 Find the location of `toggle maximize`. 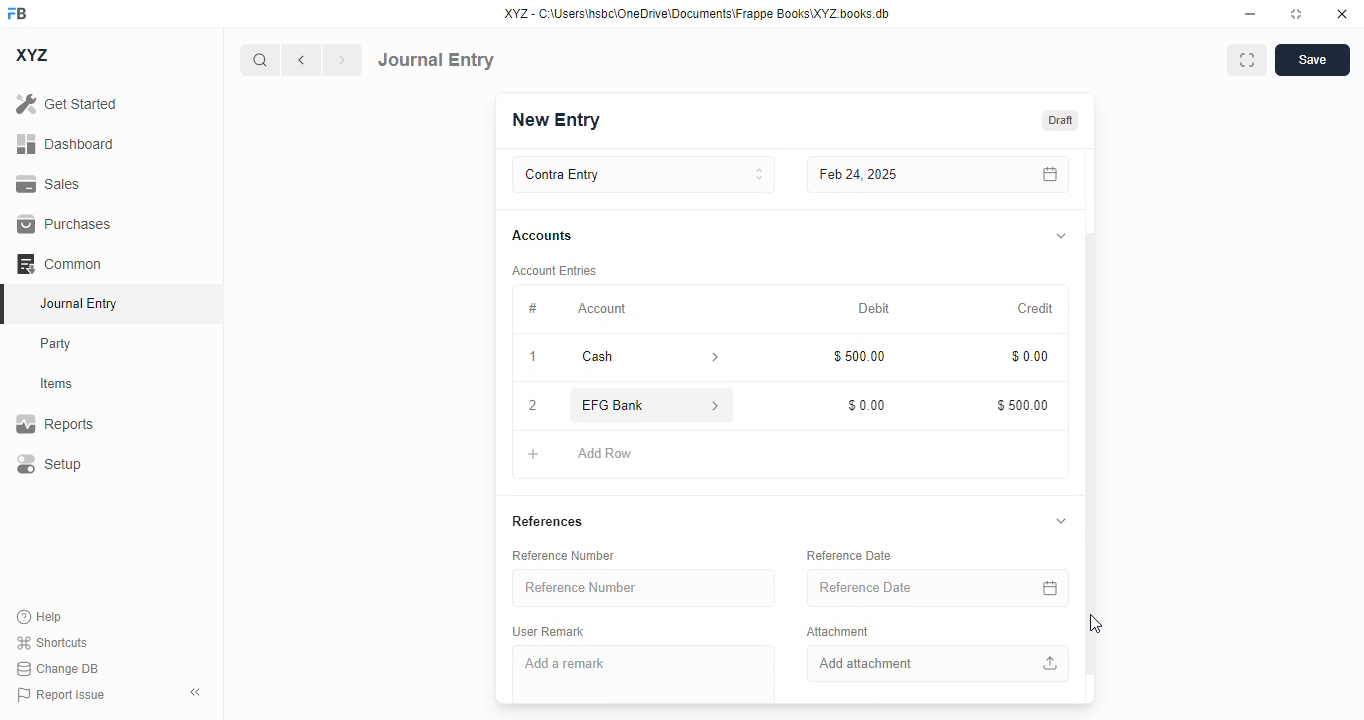

toggle maximize is located at coordinates (1296, 14).